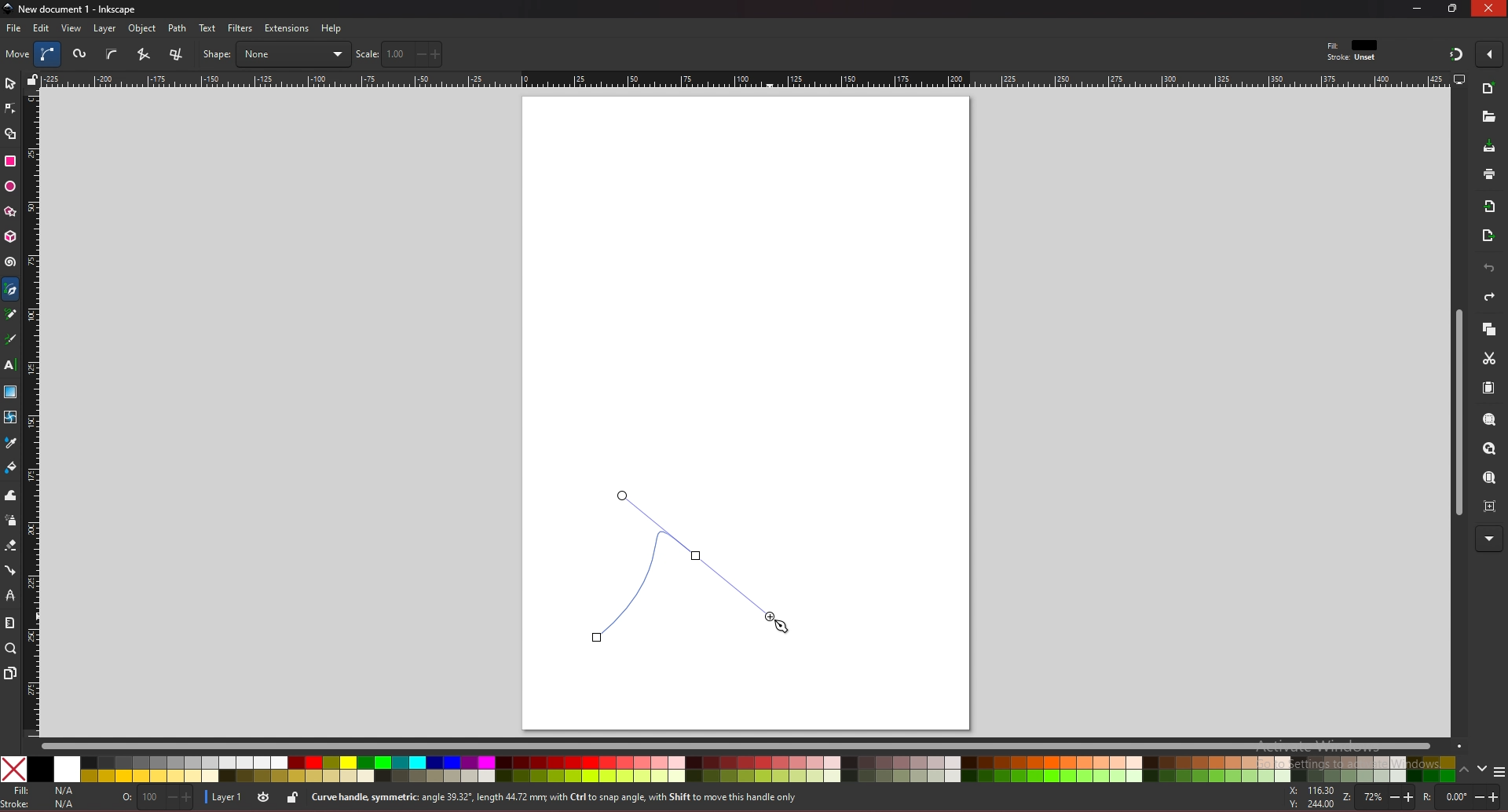  Describe the element at coordinates (145, 29) in the screenshot. I see `object` at that location.